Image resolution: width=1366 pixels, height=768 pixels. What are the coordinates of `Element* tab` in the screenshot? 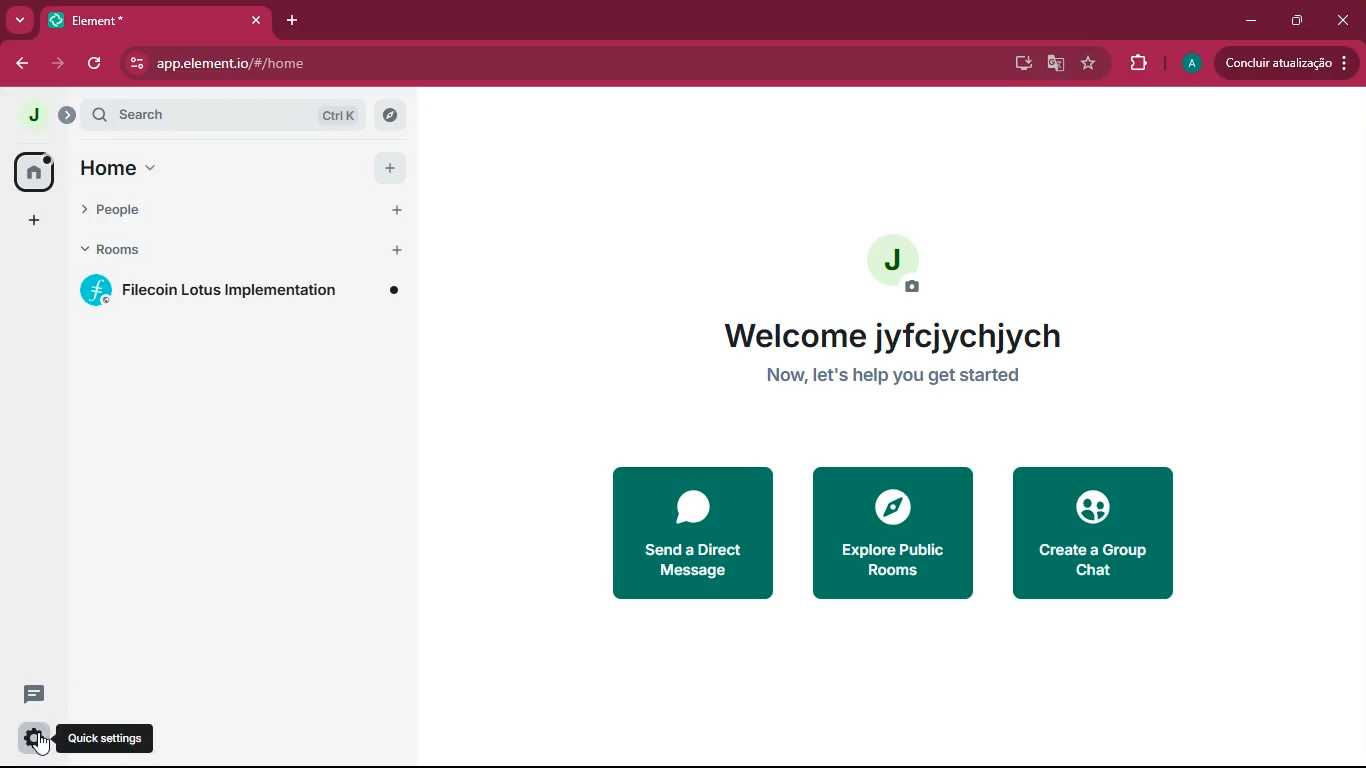 It's located at (127, 20).